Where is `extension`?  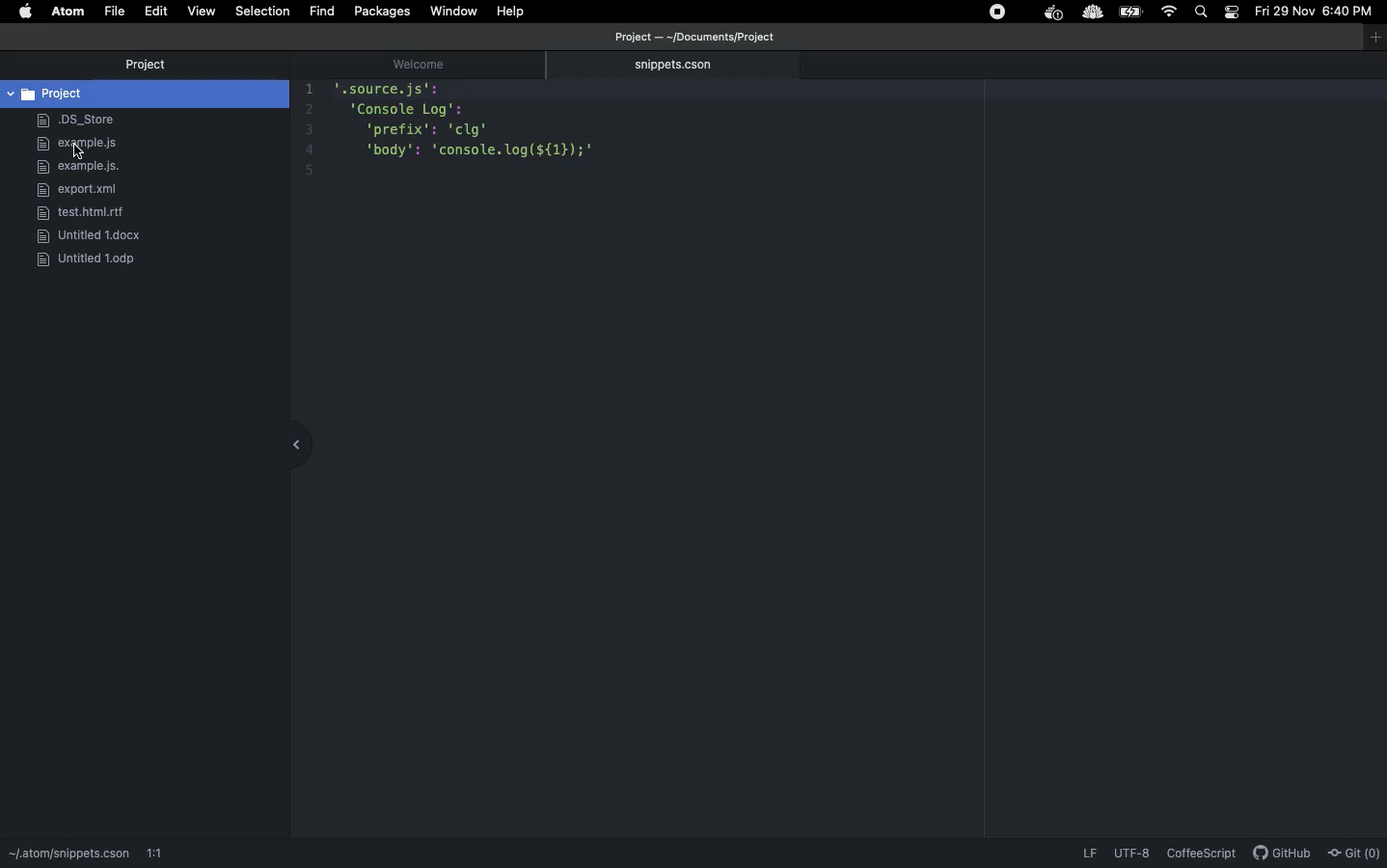 extension is located at coordinates (1092, 14).